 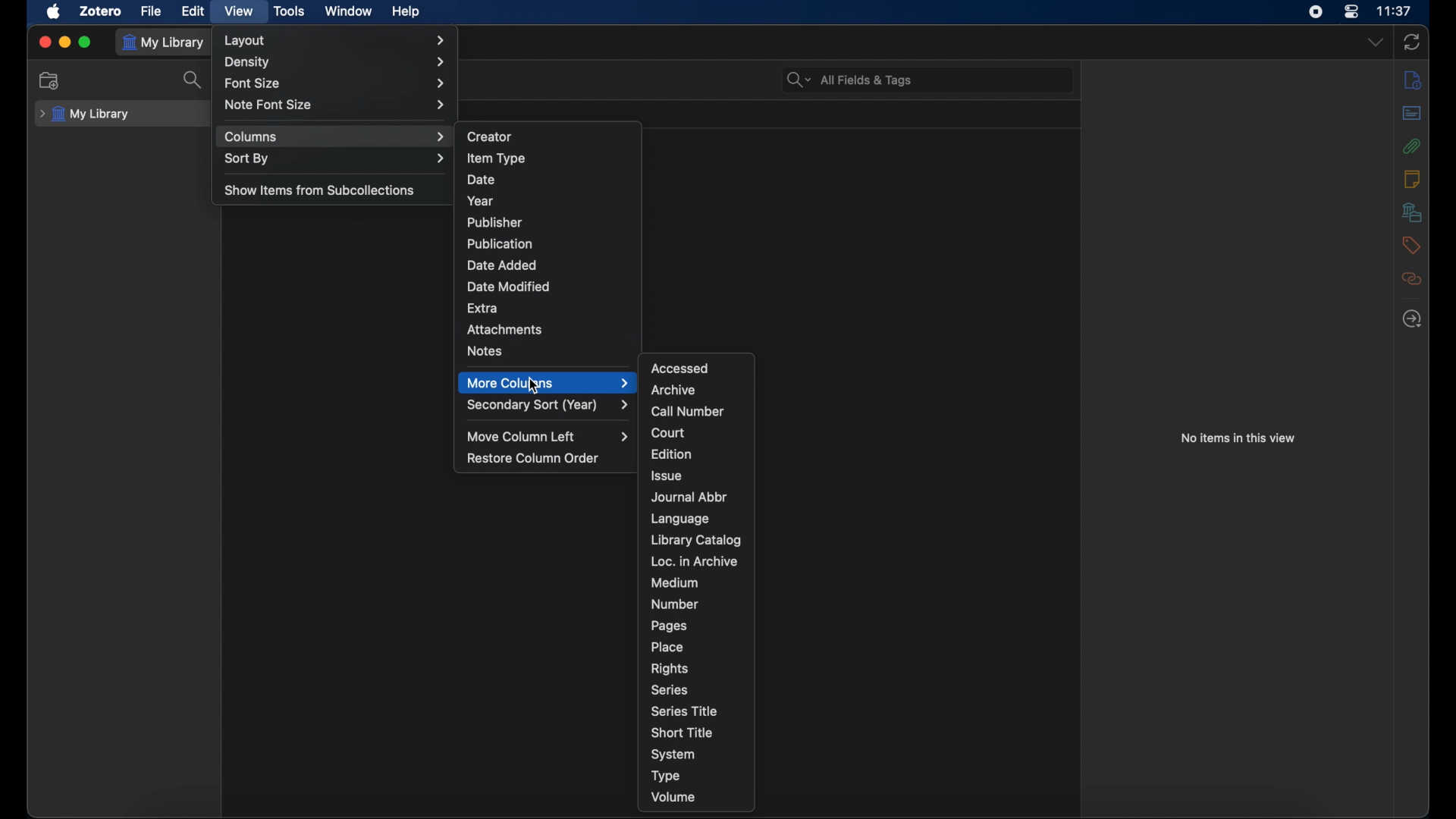 What do you see at coordinates (673, 390) in the screenshot?
I see `archive` at bounding box center [673, 390].